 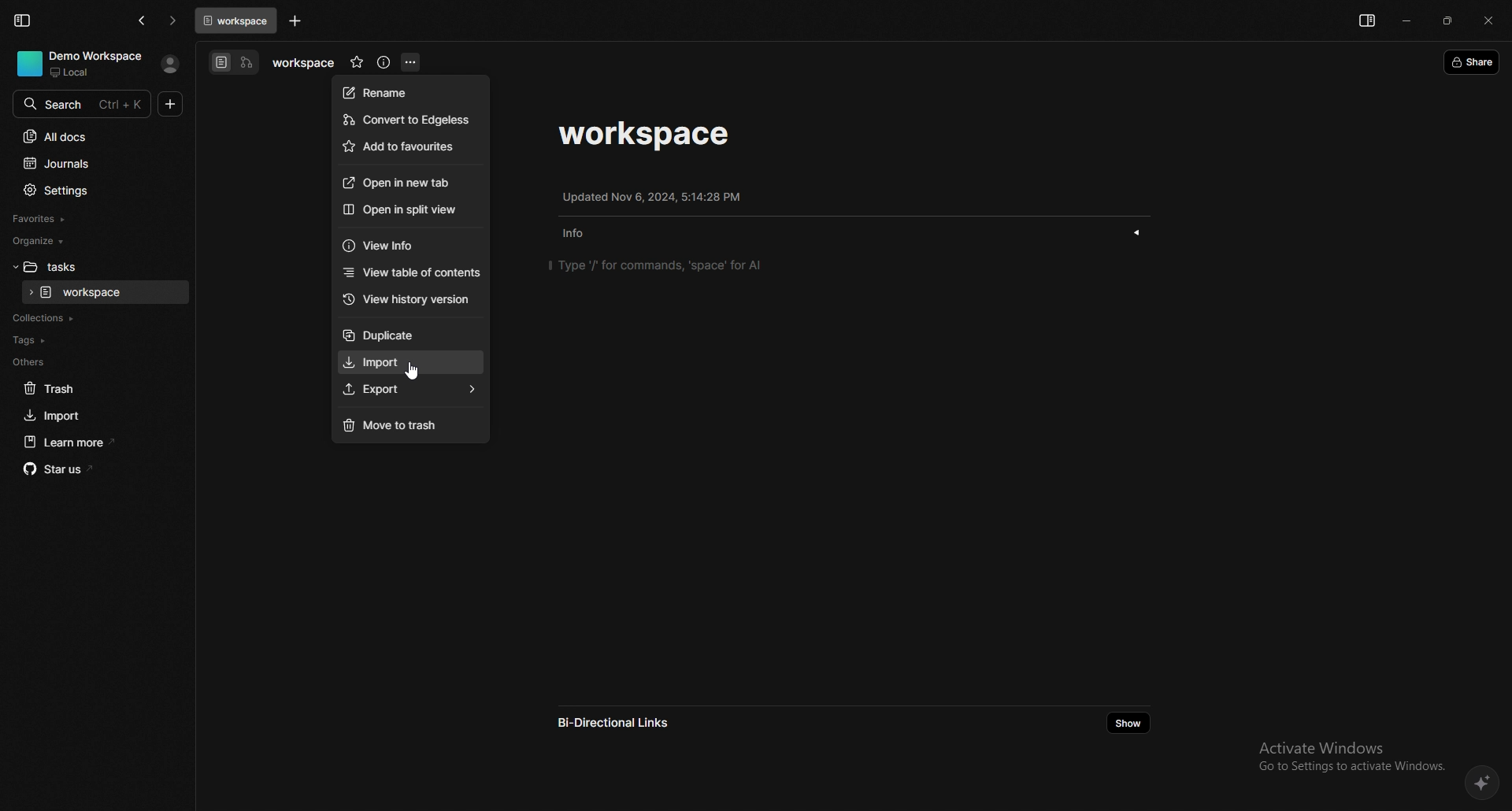 What do you see at coordinates (92, 389) in the screenshot?
I see `trash` at bounding box center [92, 389].